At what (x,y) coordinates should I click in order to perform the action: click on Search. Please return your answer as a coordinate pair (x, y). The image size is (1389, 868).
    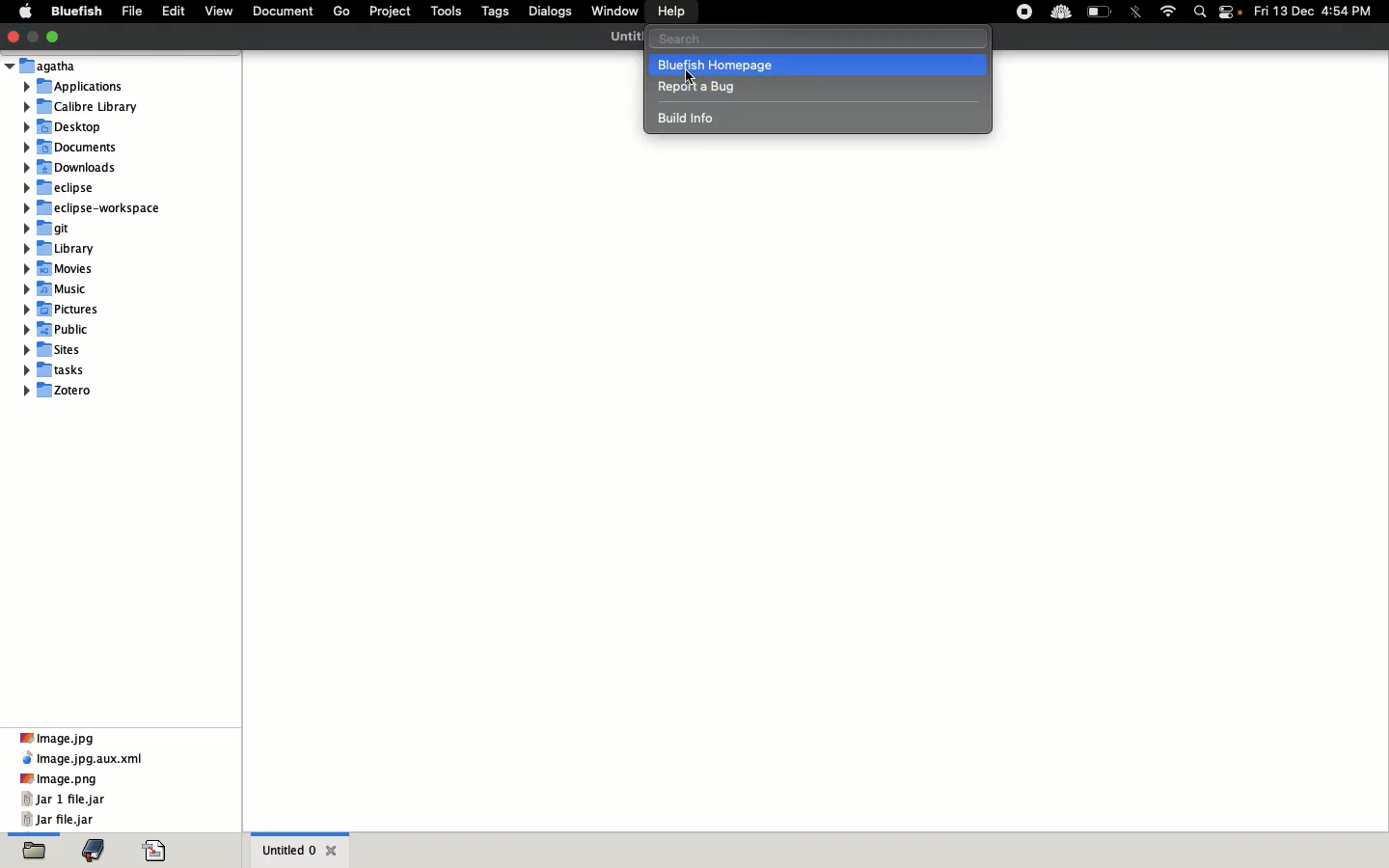
    Looking at the image, I should click on (818, 39).